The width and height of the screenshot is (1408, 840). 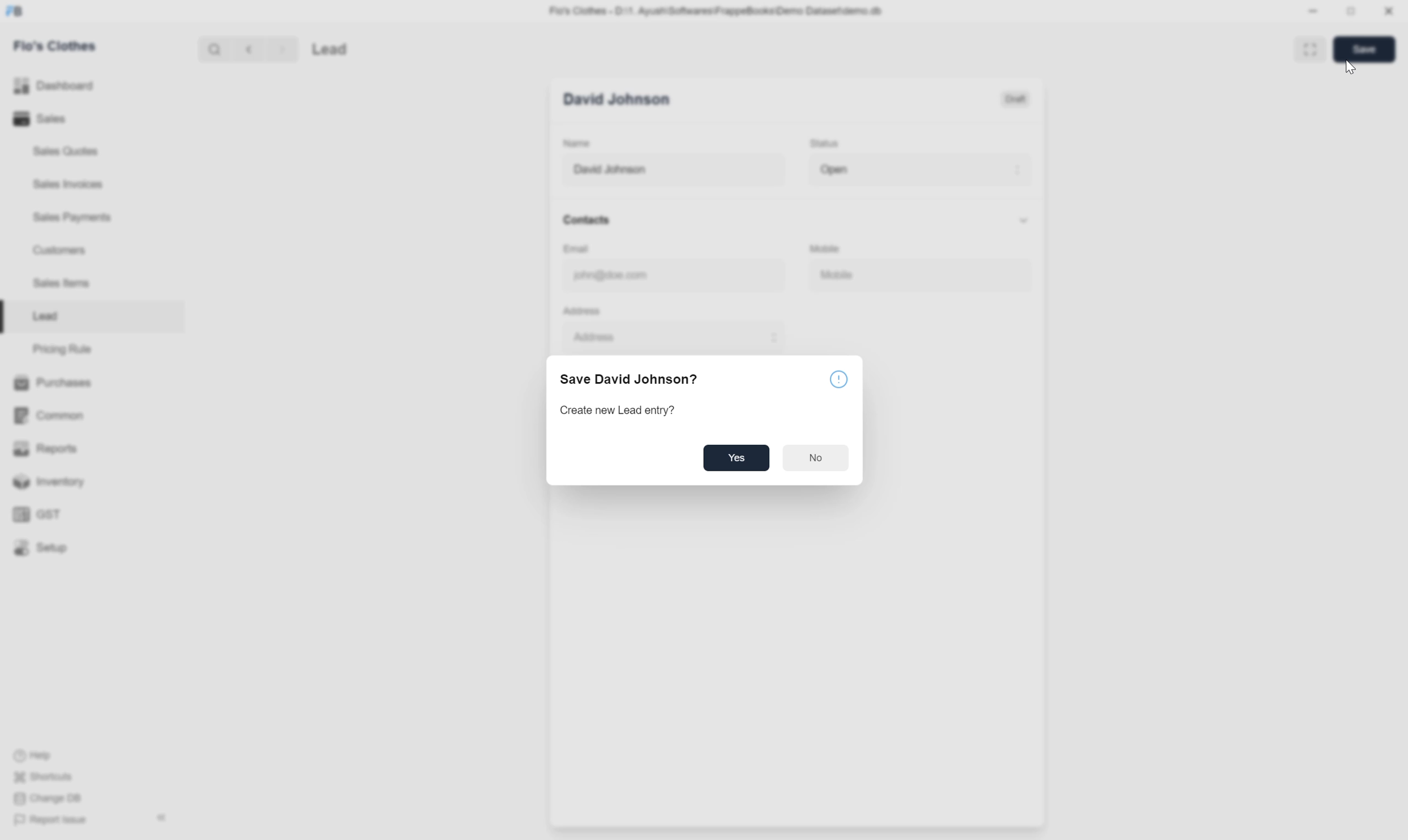 I want to click on Status, so click(x=826, y=143).